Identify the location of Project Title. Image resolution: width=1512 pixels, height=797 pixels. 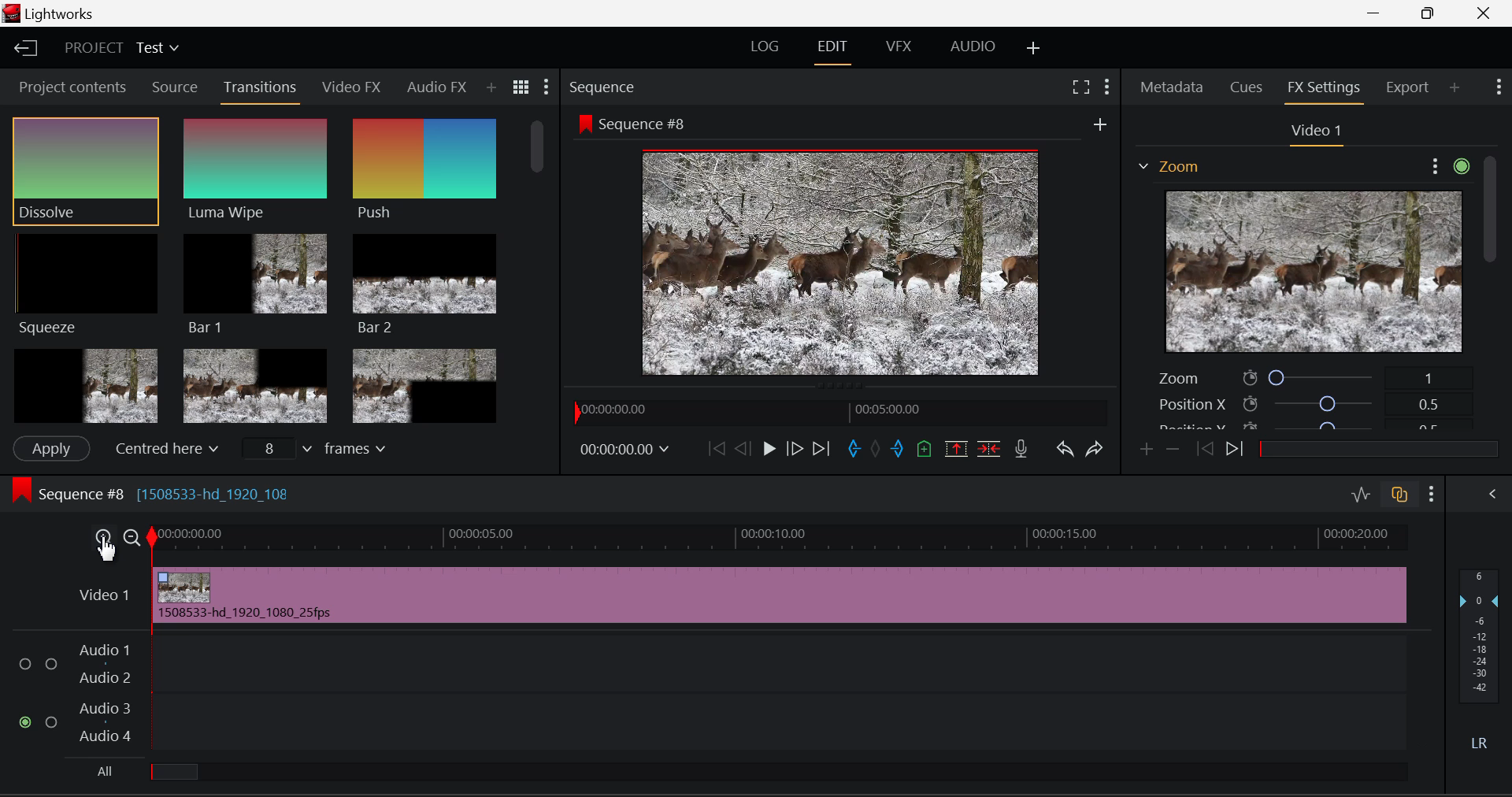
(121, 48).